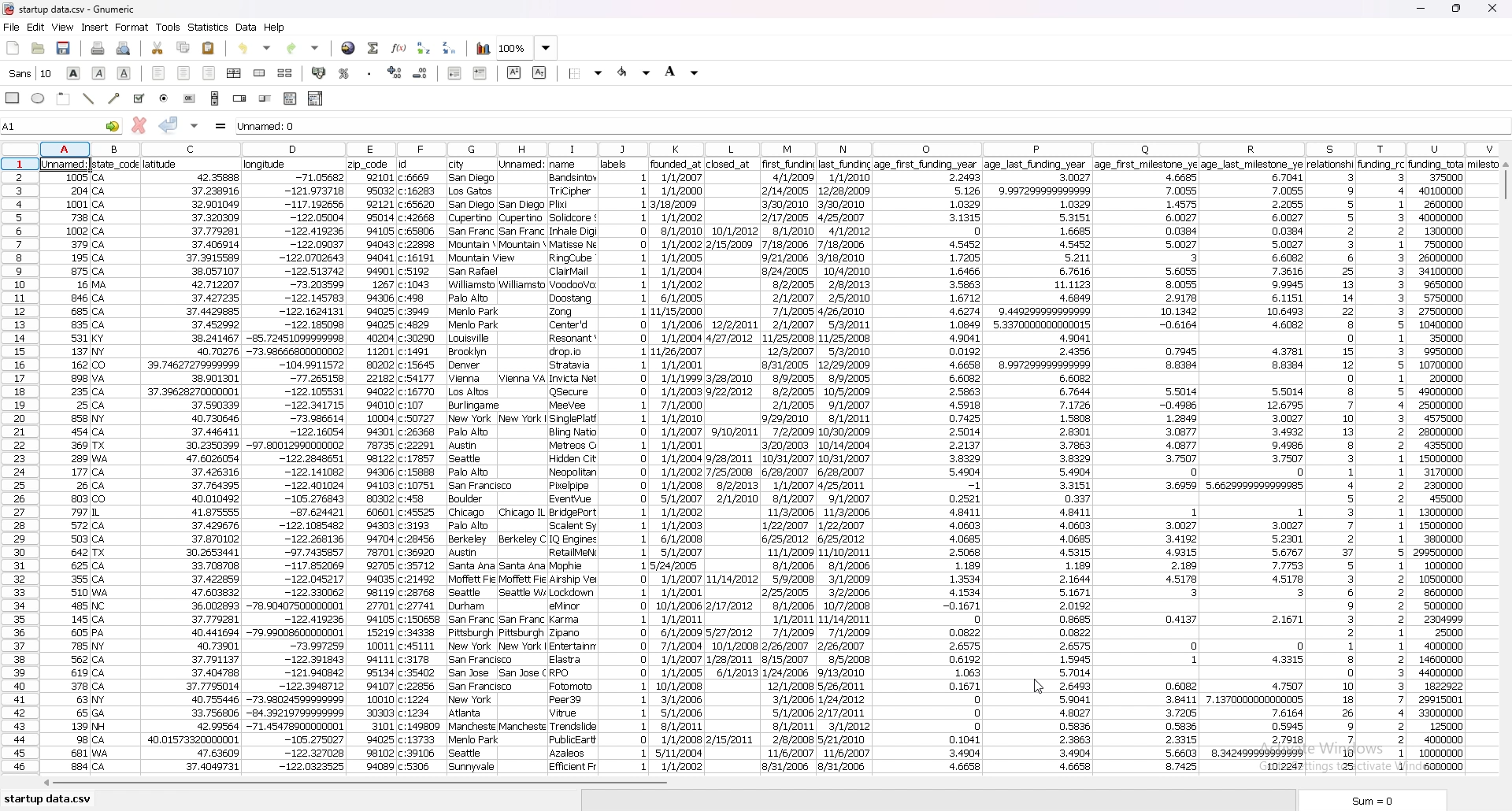  I want to click on sheet, so click(48, 800).